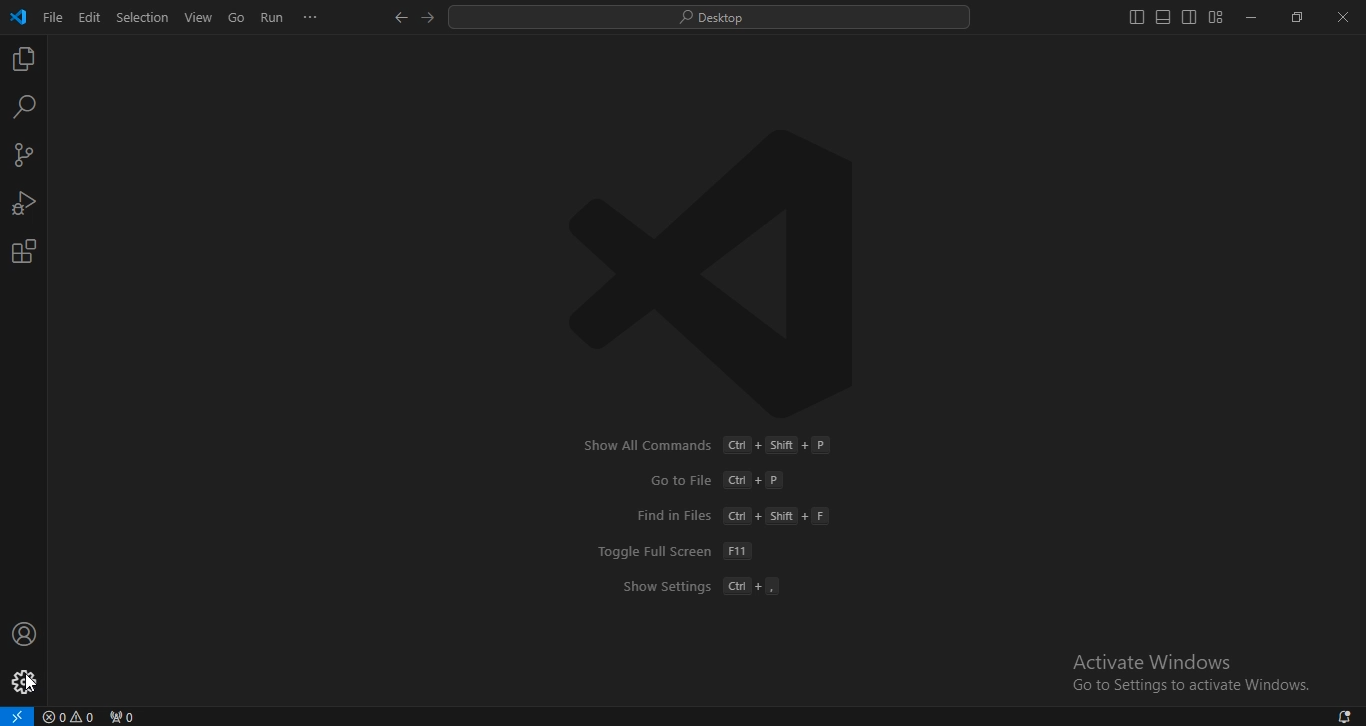  I want to click on search, so click(711, 18).